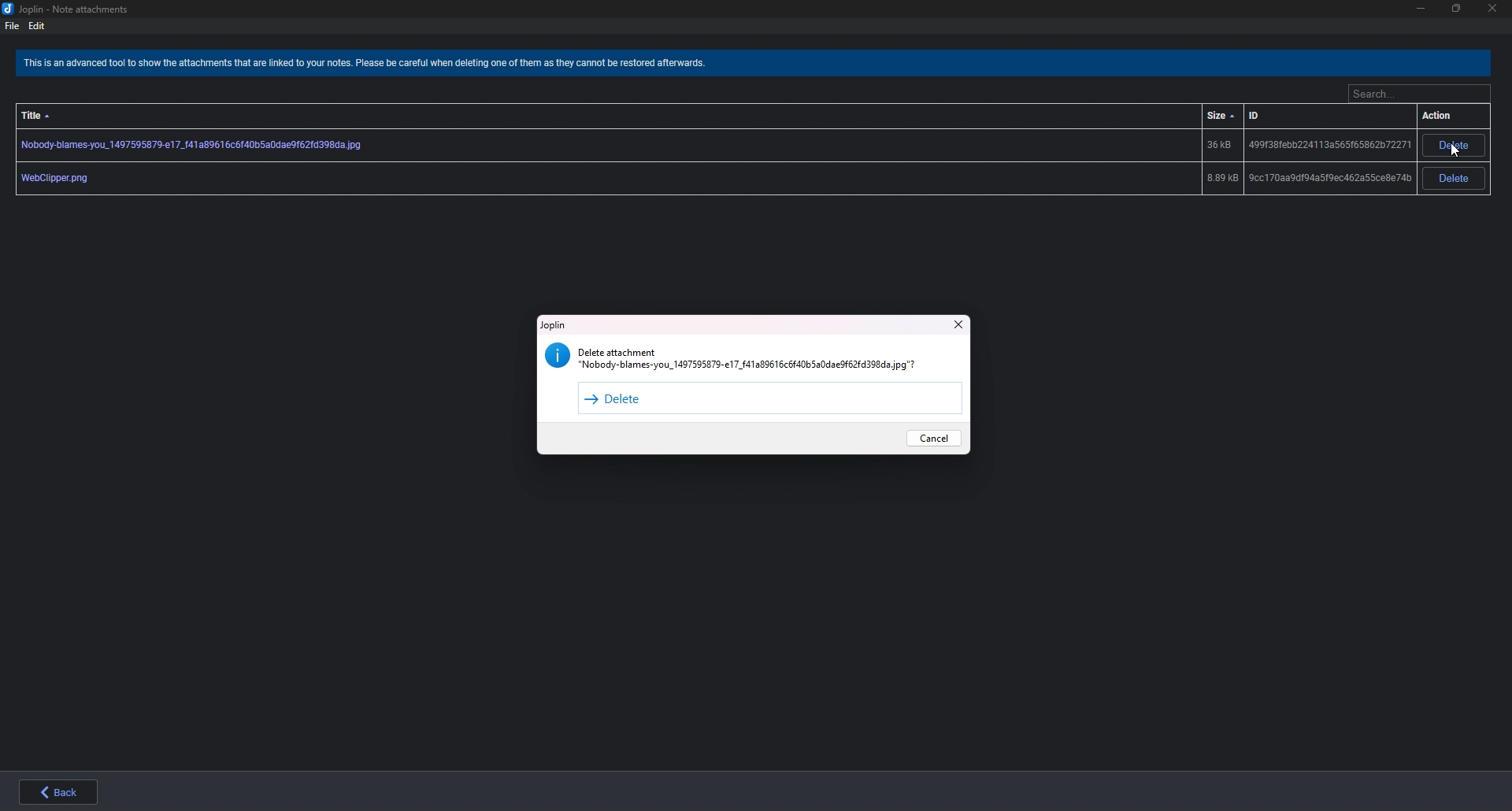 This screenshot has width=1512, height=811. Describe the element at coordinates (561, 326) in the screenshot. I see `Joplin` at that location.